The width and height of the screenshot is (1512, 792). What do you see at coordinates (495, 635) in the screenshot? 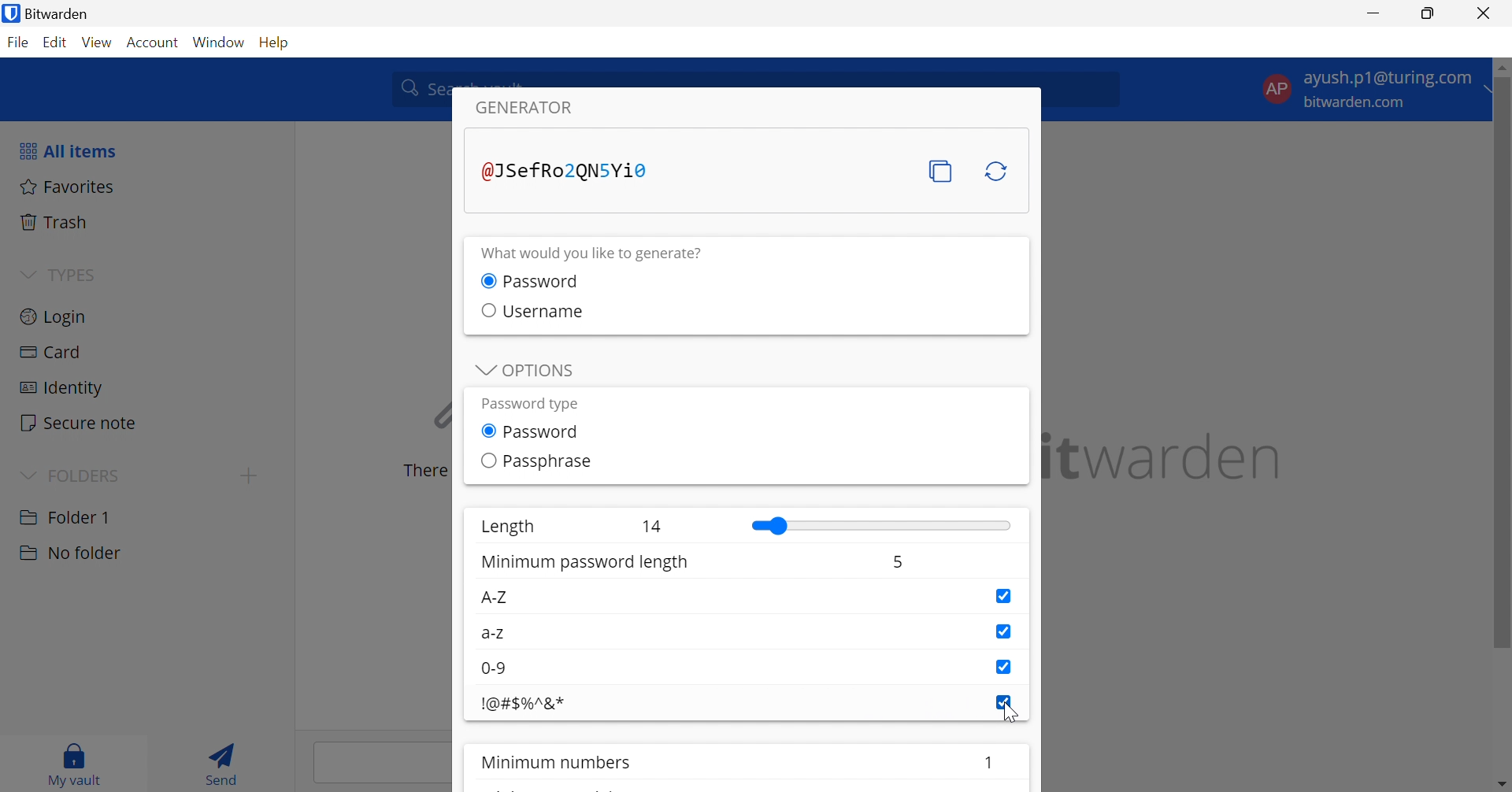
I see `a-z` at bounding box center [495, 635].